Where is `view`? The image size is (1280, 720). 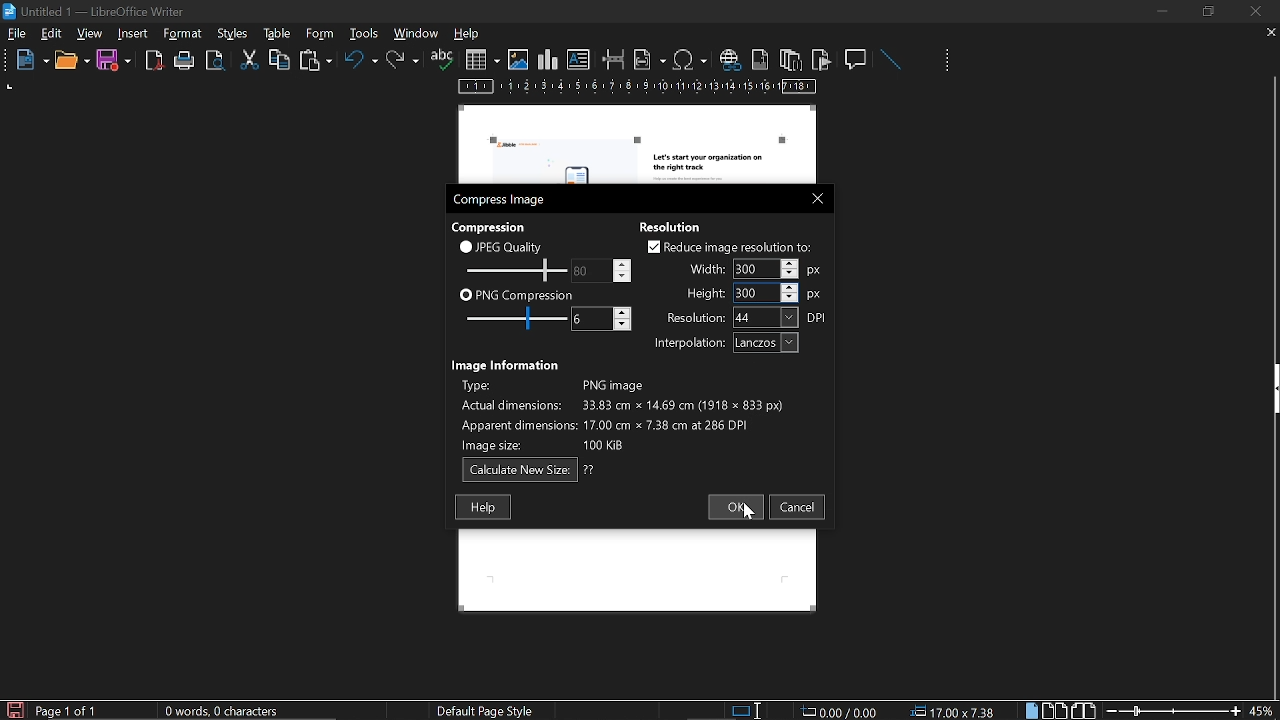
view is located at coordinates (91, 33).